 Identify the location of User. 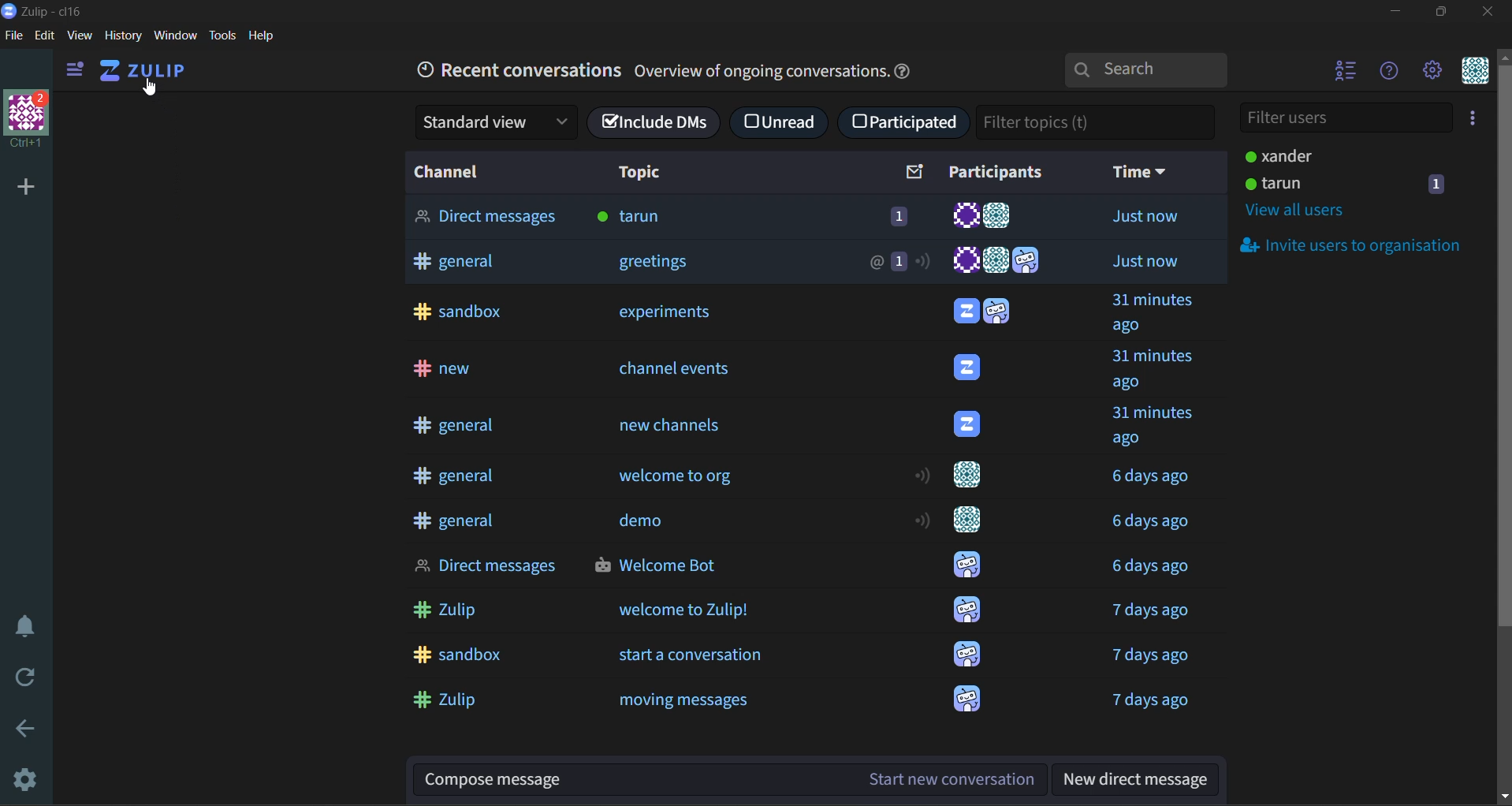
(968, 566).